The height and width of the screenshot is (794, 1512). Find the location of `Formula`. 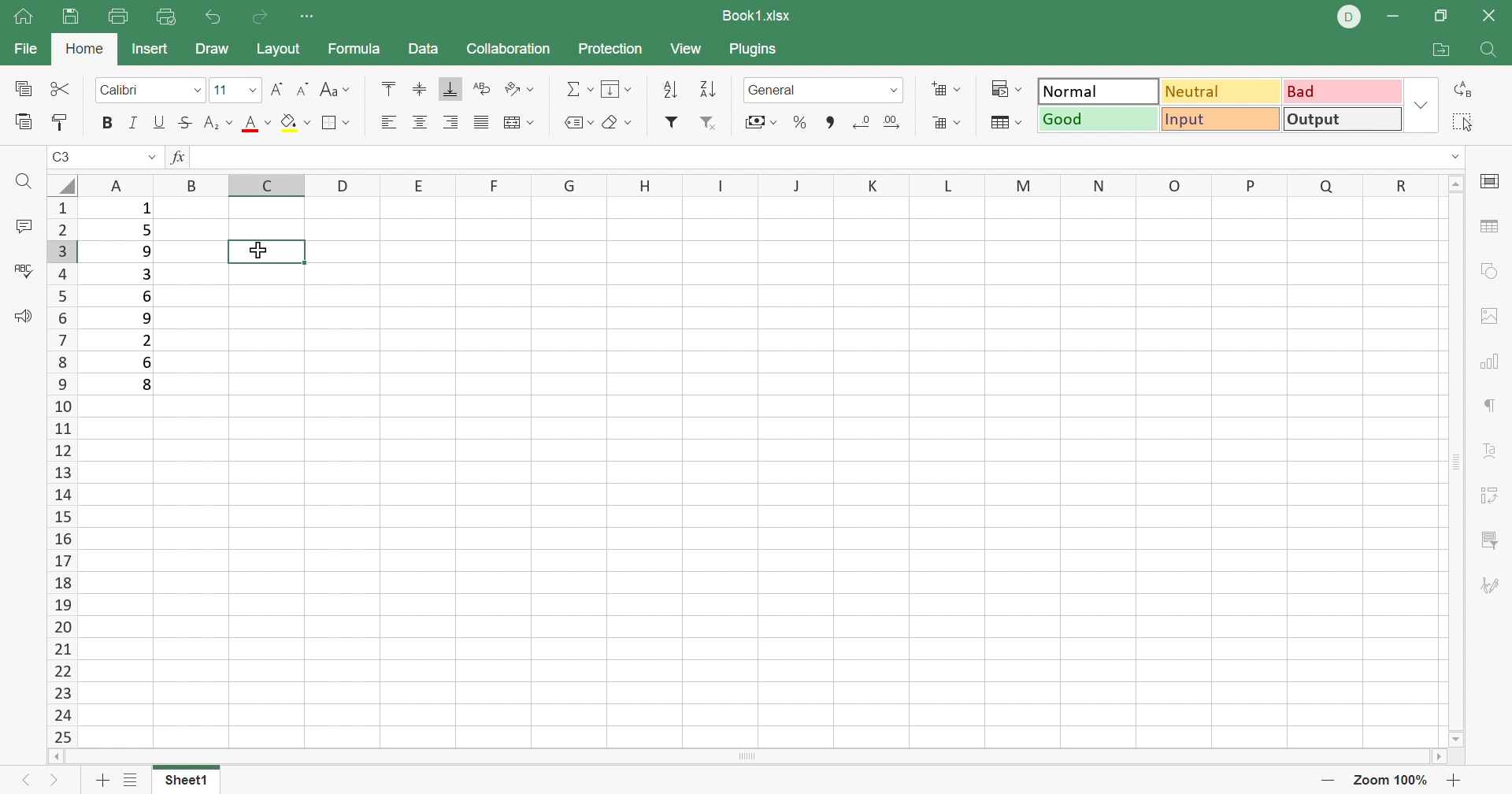

Formula is located at coordinates (355, 50).